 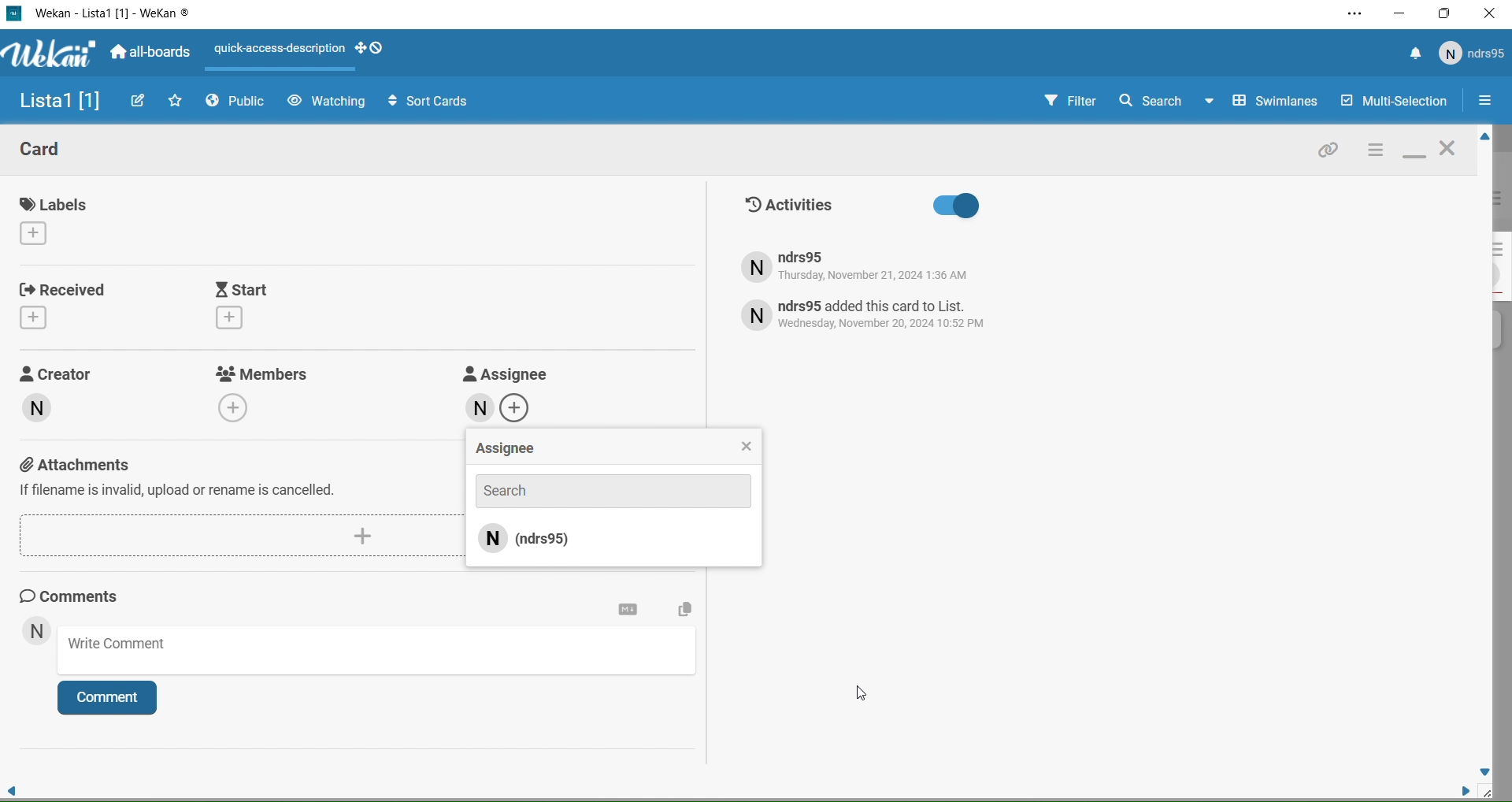 What do you see at coordinates (858, 692) in the screenshot?
I see `Cursor` at bounding box center [858, 692].